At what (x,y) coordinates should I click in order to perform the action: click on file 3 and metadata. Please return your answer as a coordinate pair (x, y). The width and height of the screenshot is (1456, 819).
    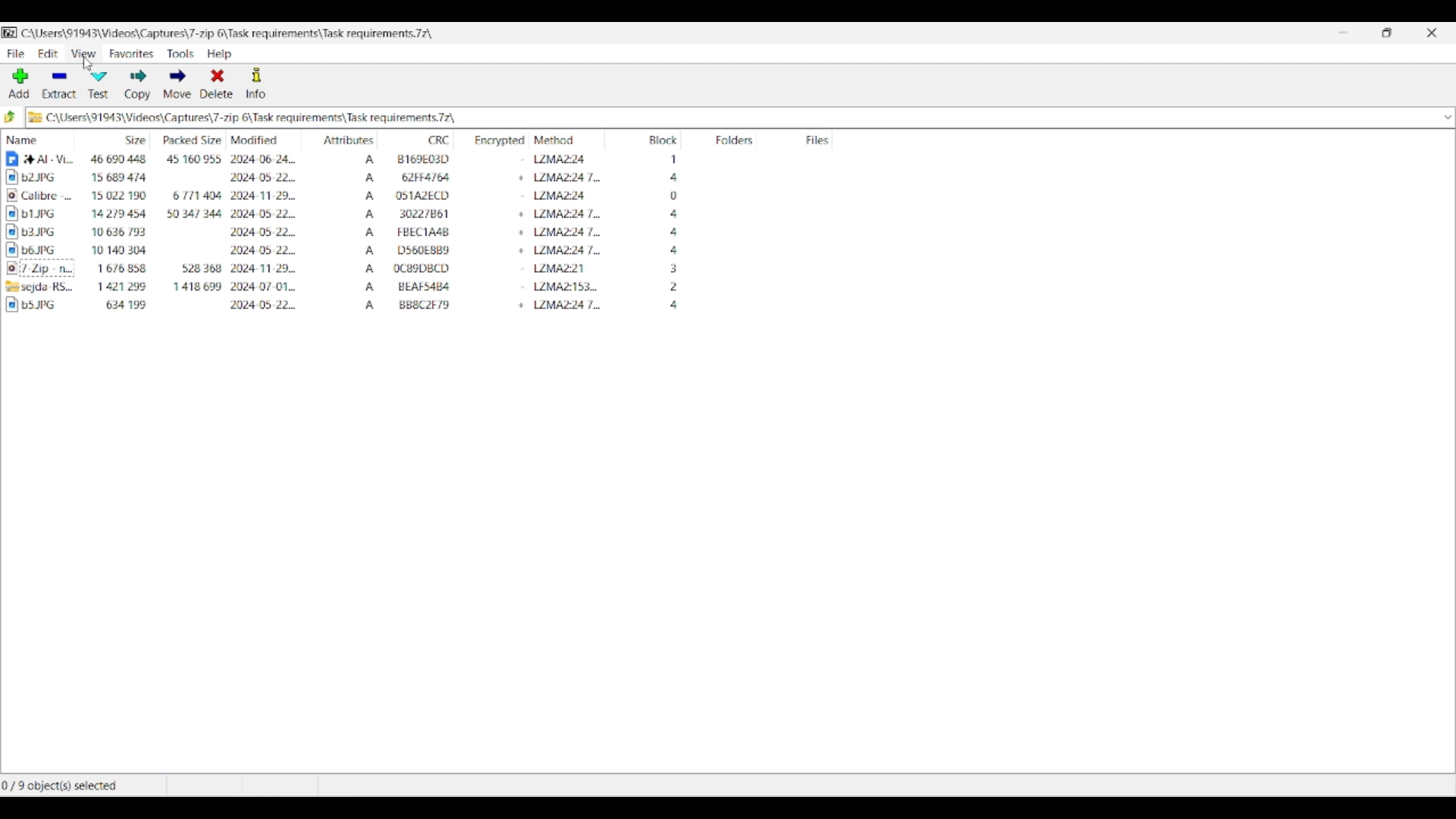
    Looking at the image, I should click on (416, 196).